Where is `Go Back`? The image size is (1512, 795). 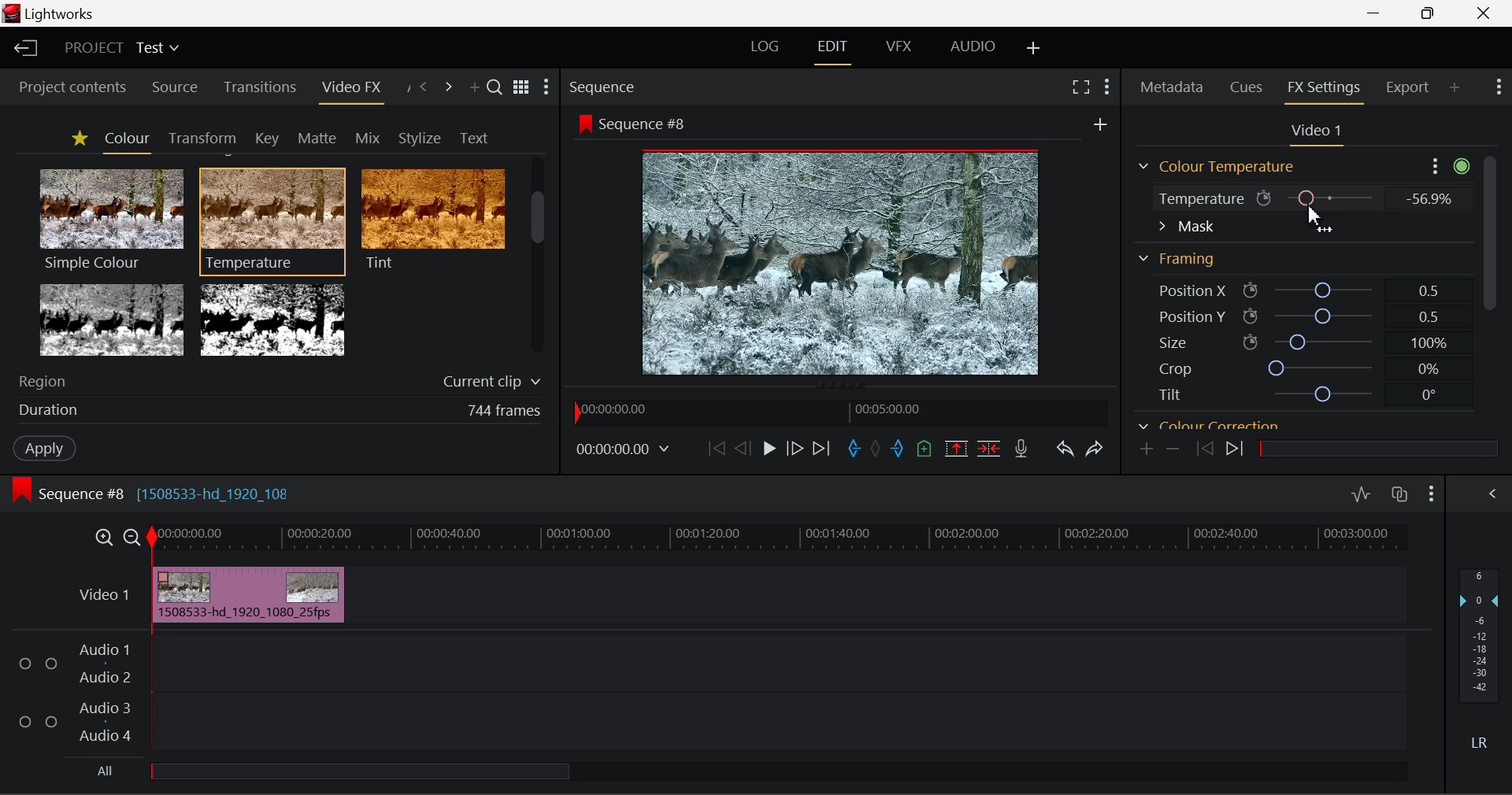 Go Back is located at coordinates (743, 449).